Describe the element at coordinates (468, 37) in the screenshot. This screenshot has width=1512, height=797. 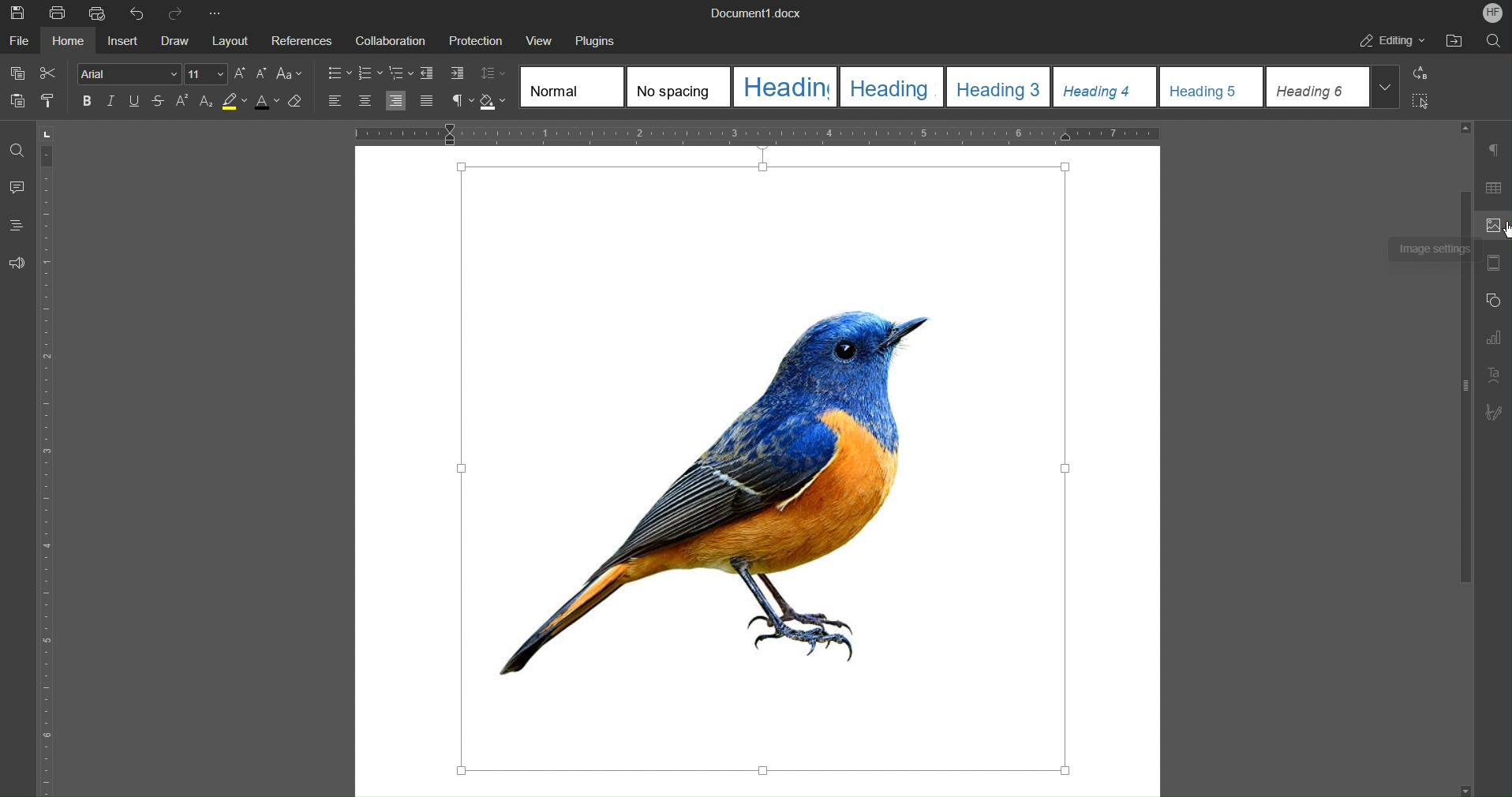
I see `Protection` at that location.